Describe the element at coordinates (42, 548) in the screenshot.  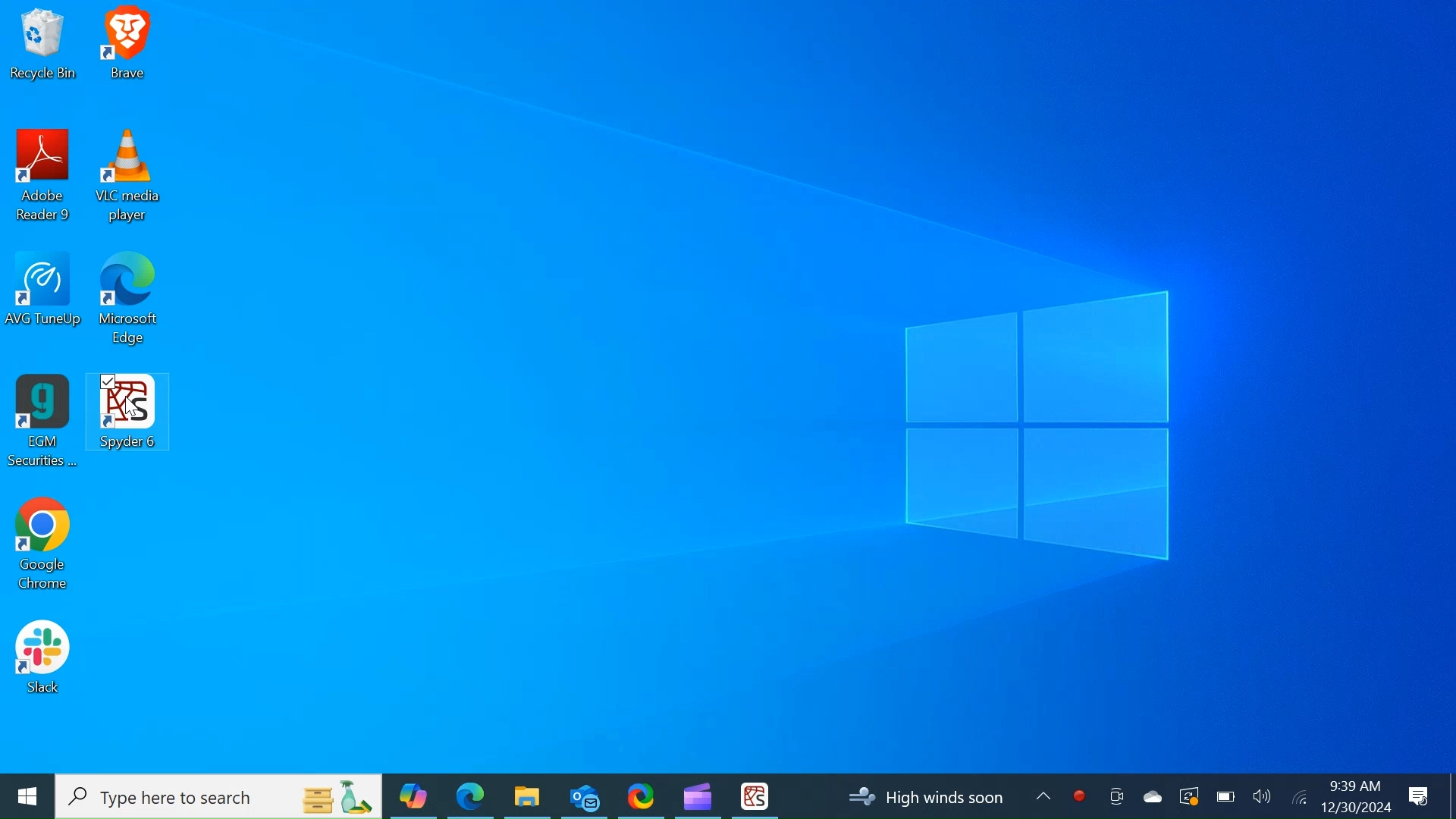
I see `Google Chrome Desktop Icon` at that location.